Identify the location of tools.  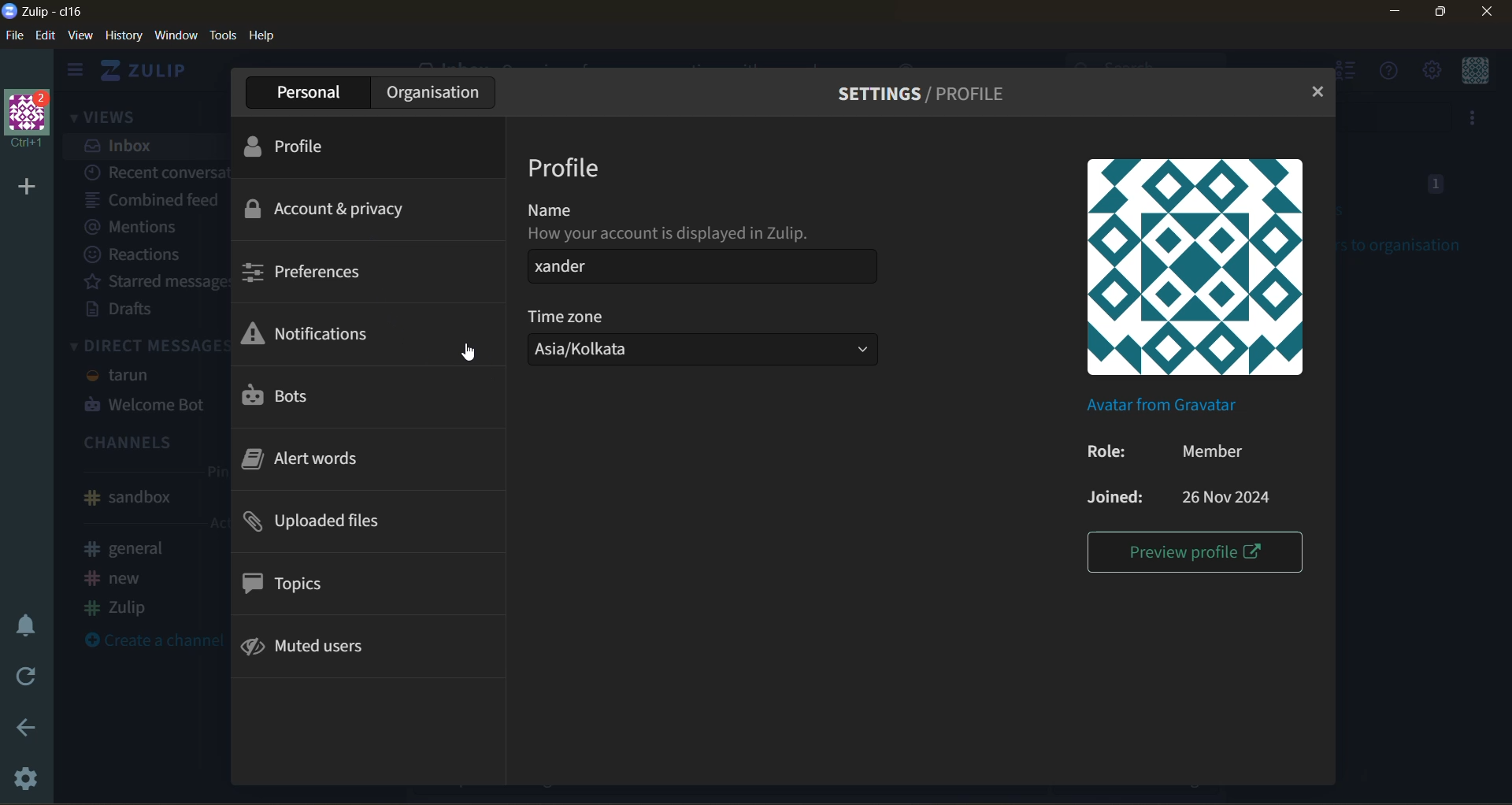
(224, 38).